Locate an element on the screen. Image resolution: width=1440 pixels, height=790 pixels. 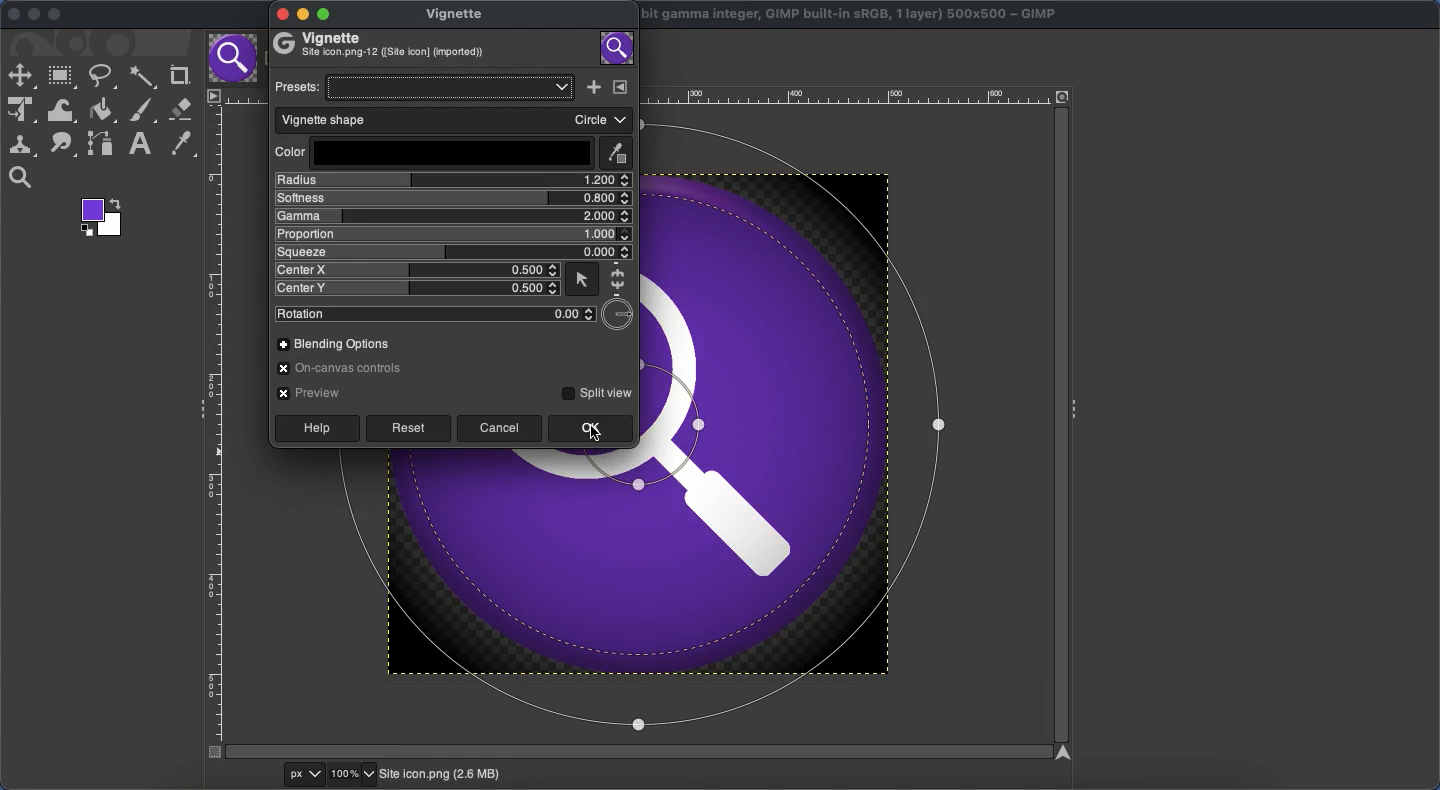
Image is located at coordinates (439, 775).